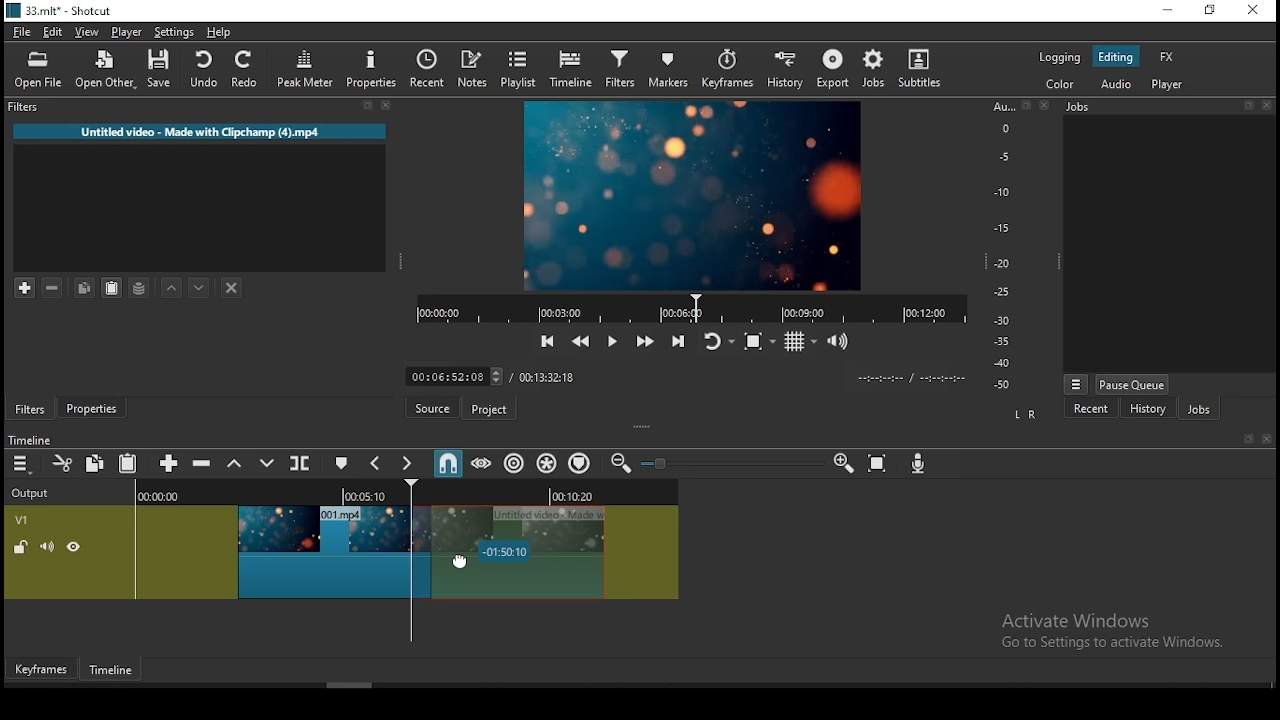  What do you see at coordinates (1167, 86) in the screenshot?
I see `player` at bounding box center [1167, 86].